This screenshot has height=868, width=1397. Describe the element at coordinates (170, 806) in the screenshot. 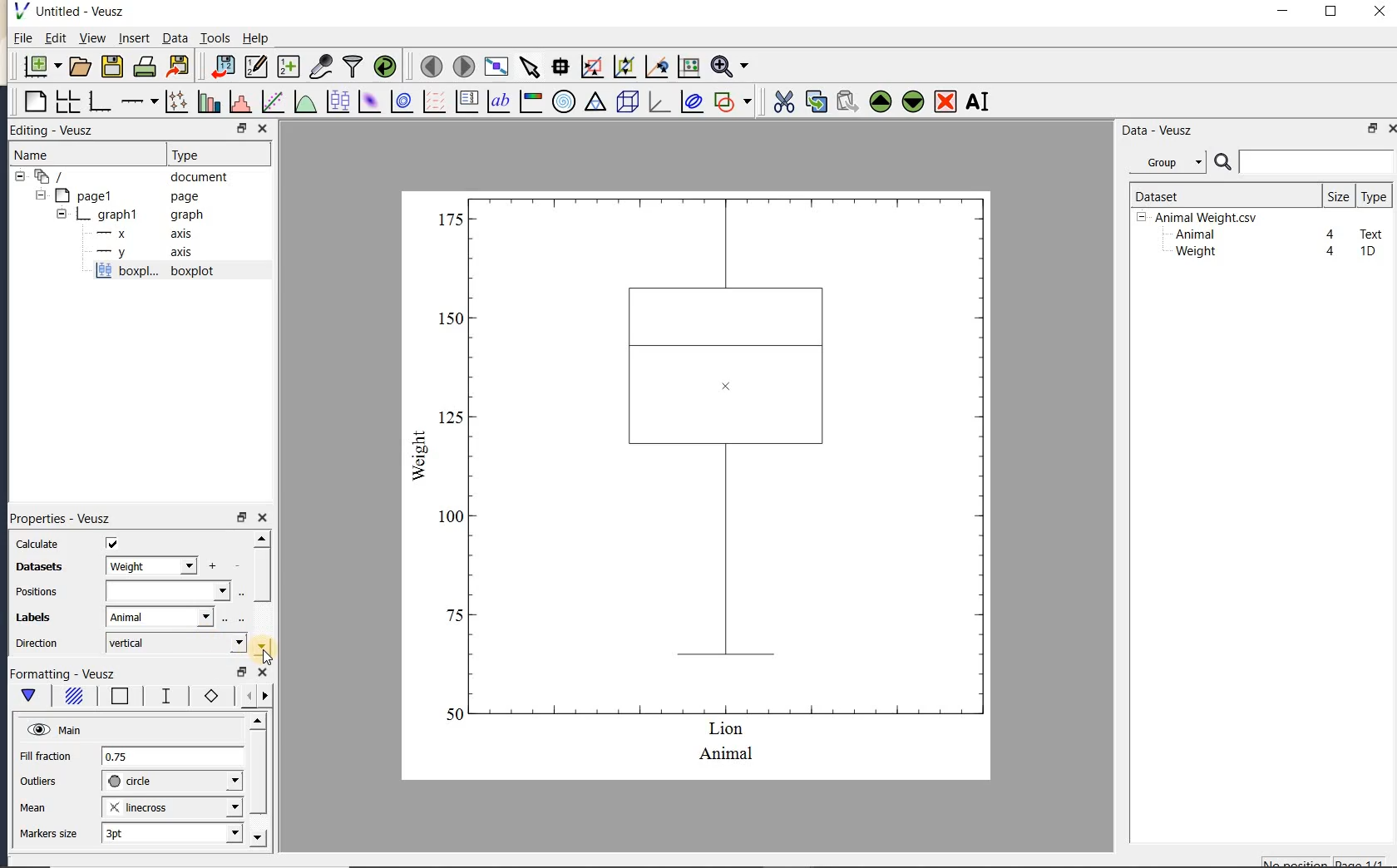

I see `linecross` at that location.